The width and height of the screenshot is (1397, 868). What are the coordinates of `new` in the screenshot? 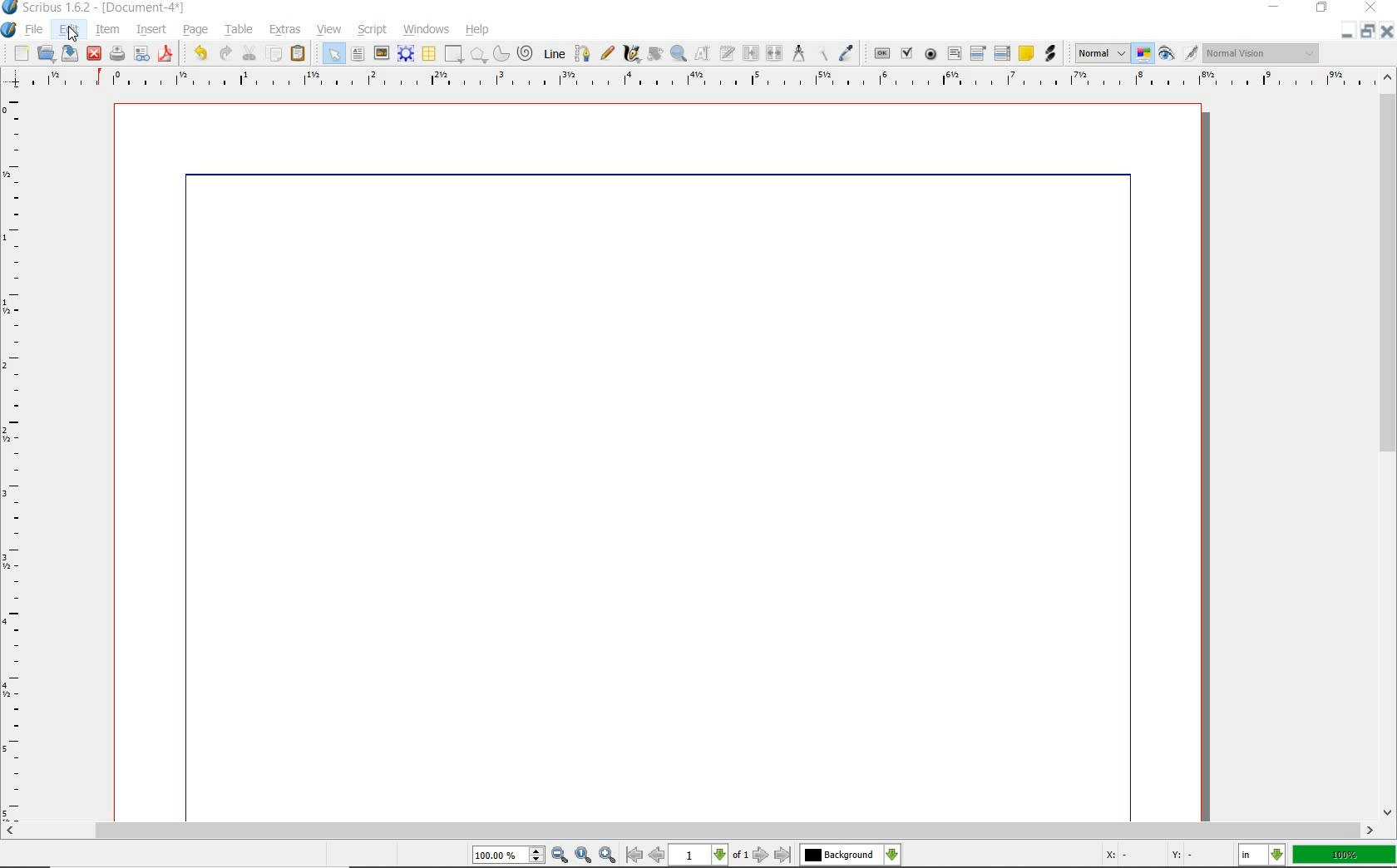 It's located at (16, 53).